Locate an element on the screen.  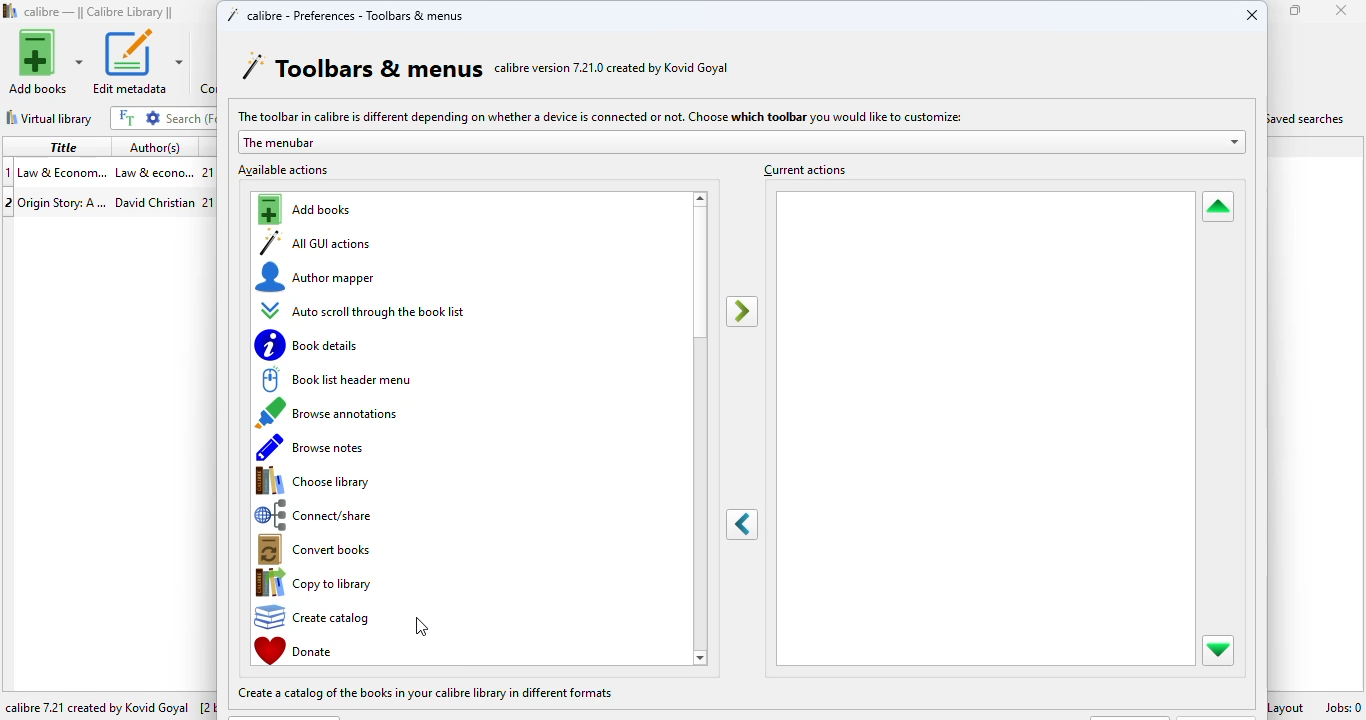
close is located at coordinates (1341, 10).